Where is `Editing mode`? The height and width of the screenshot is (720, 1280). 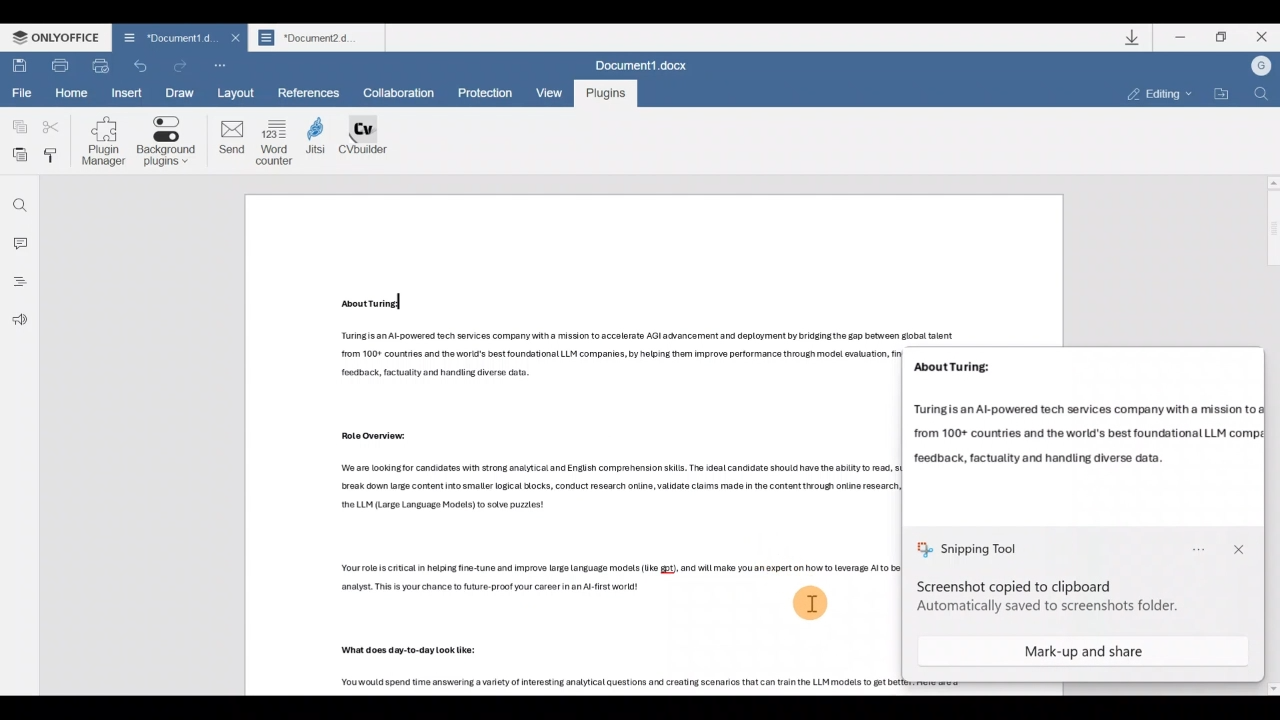
Editing mode is located at coordinates (1153, 94).